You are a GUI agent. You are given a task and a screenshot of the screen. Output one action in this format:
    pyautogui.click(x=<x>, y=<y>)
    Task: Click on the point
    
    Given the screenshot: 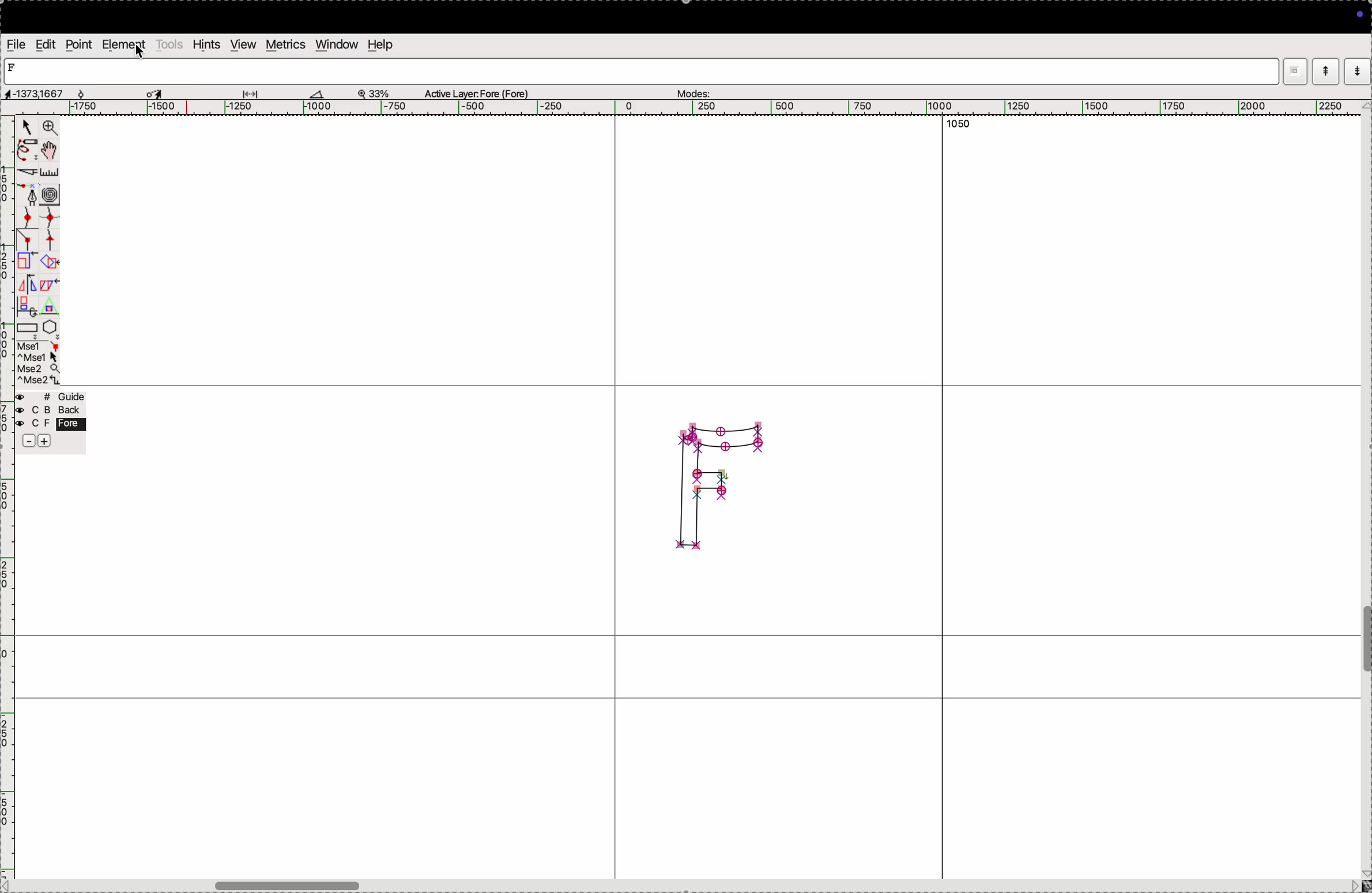 What is the action you would take?
    pyautogui.click(x=78, y=46)
    